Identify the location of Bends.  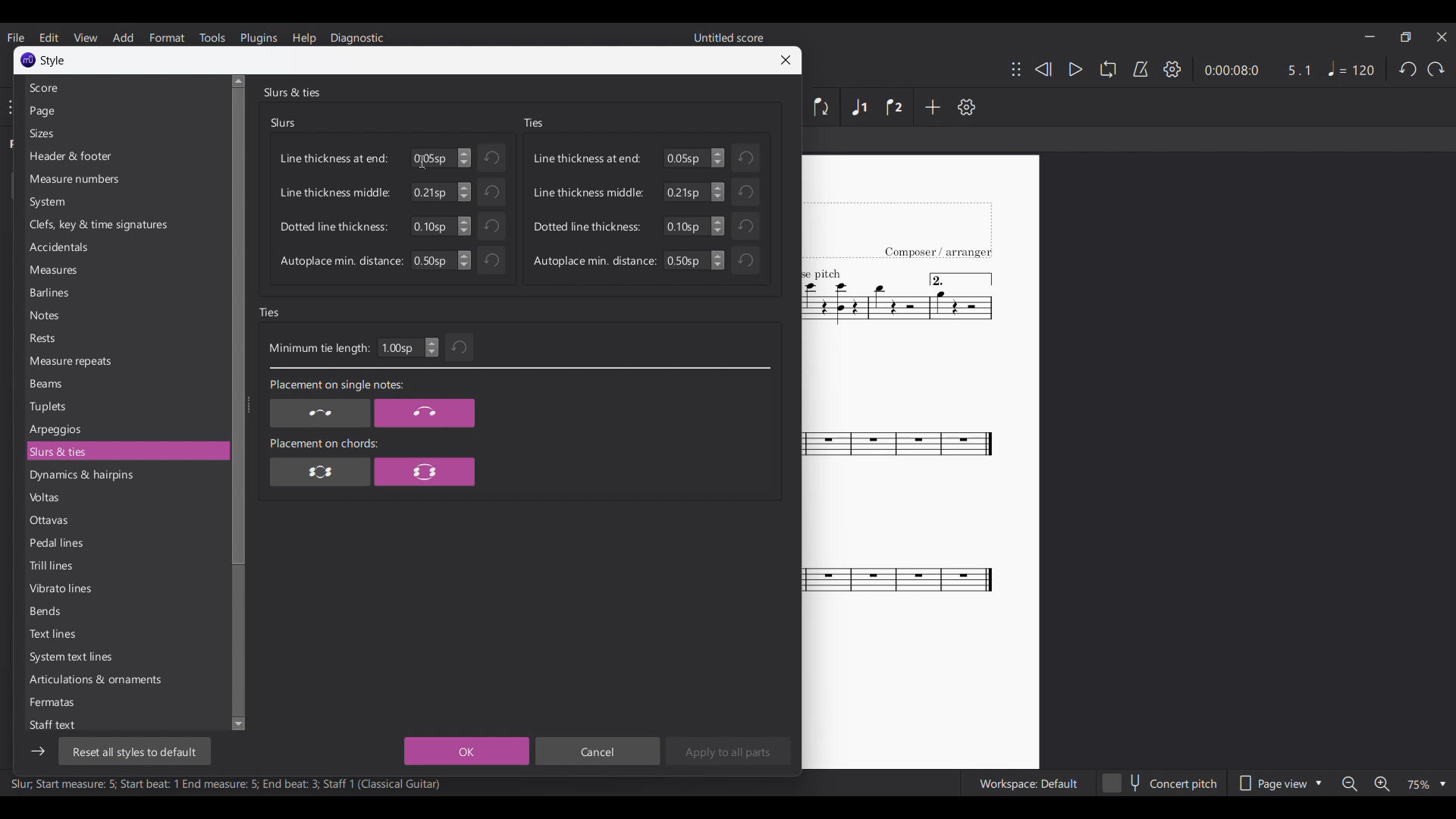
(125, 611).